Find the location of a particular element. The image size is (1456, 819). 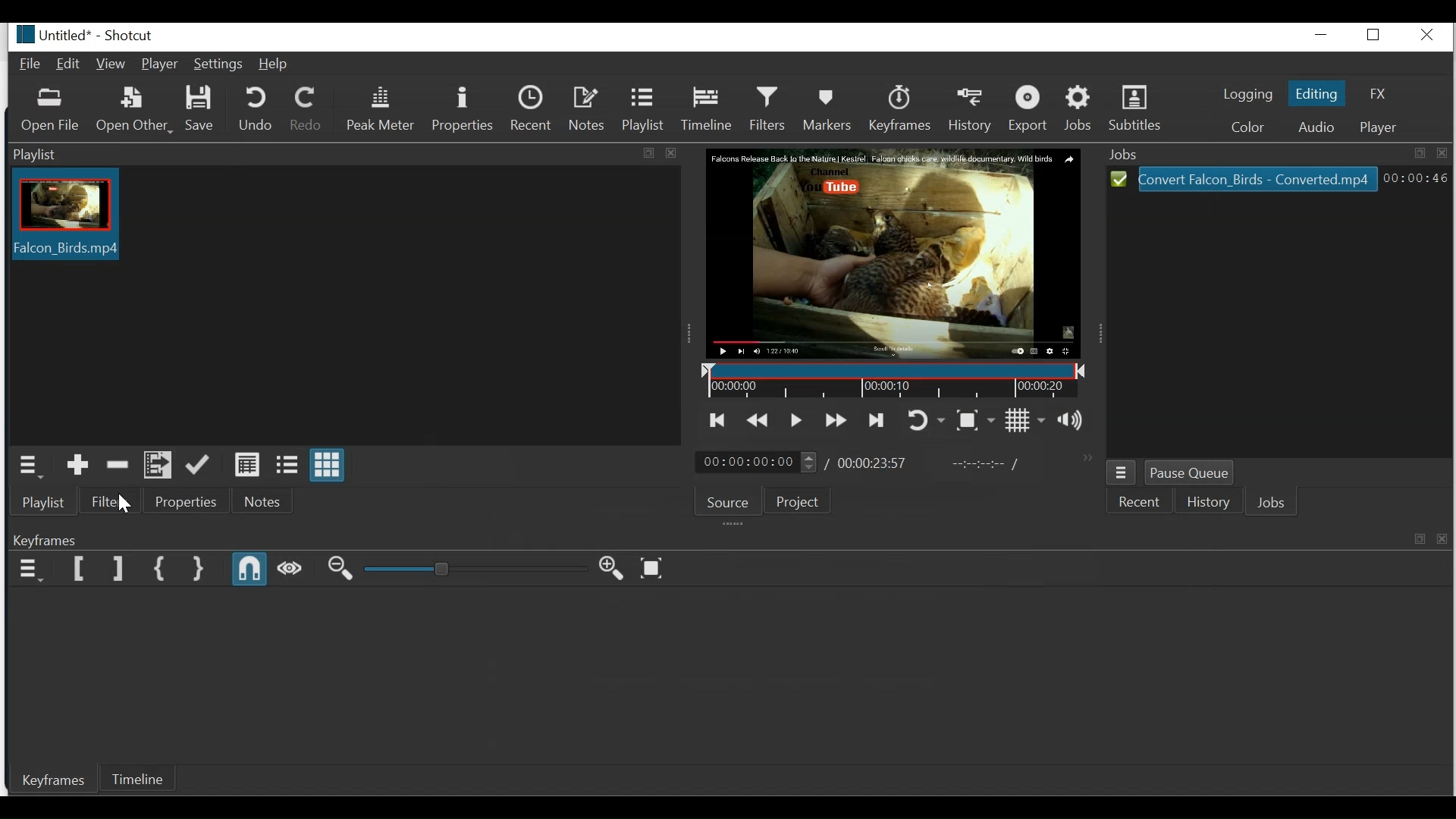

Keyframes is located at coordinates (730, 541).